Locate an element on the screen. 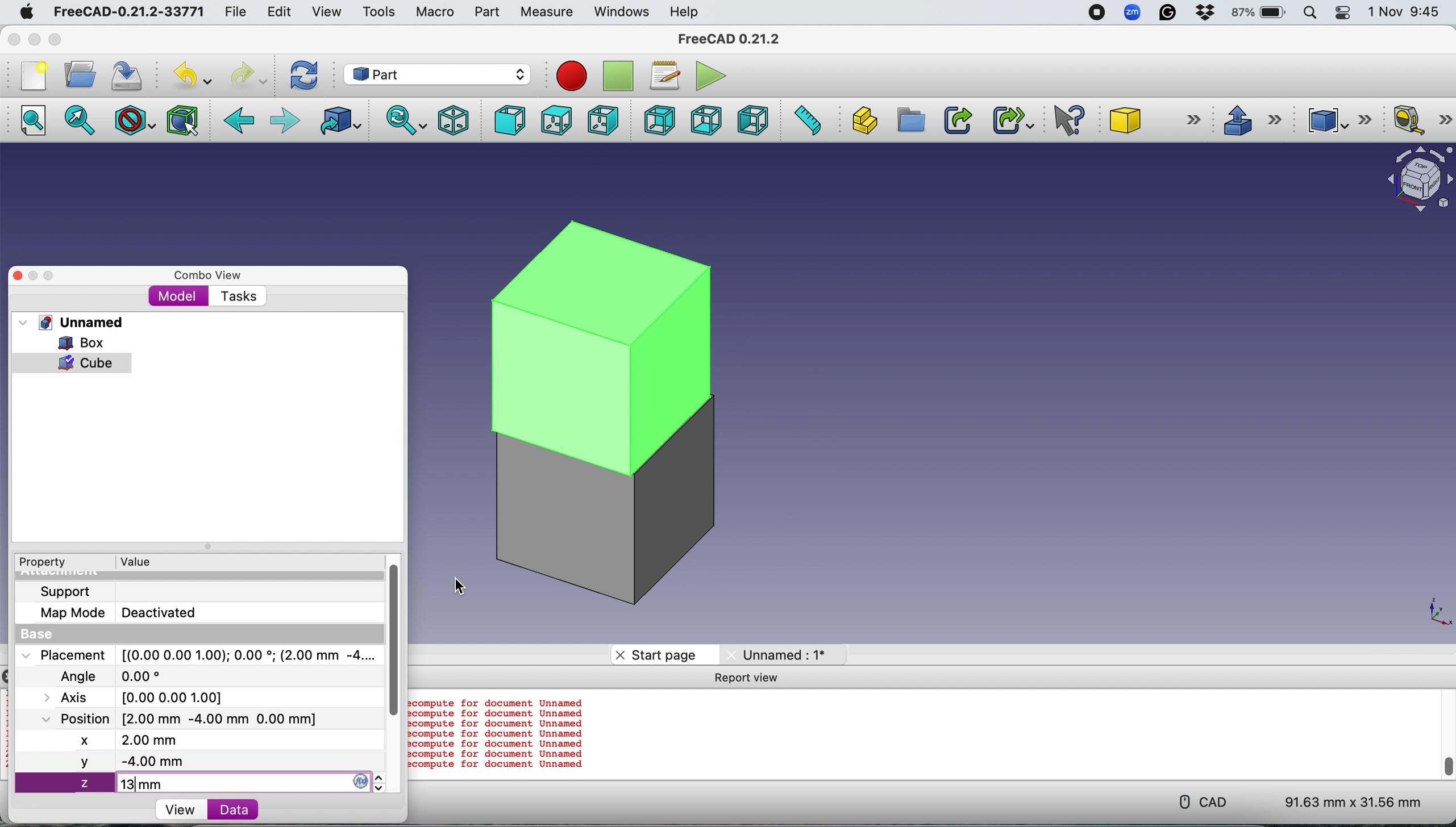  Right is located at coordinates (603, 122).